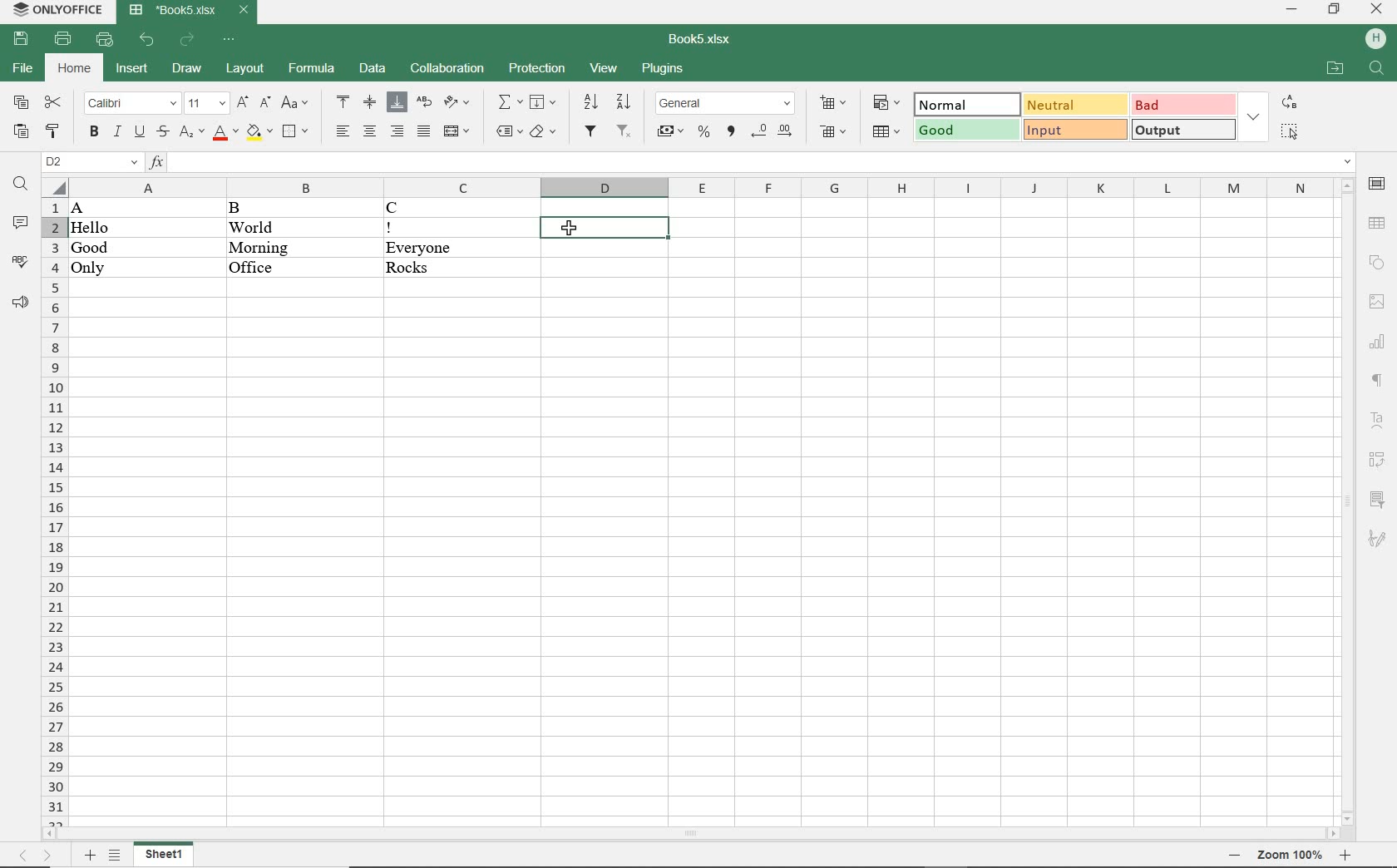  I want to click on MERGE & CENTER, so click(457, 132).